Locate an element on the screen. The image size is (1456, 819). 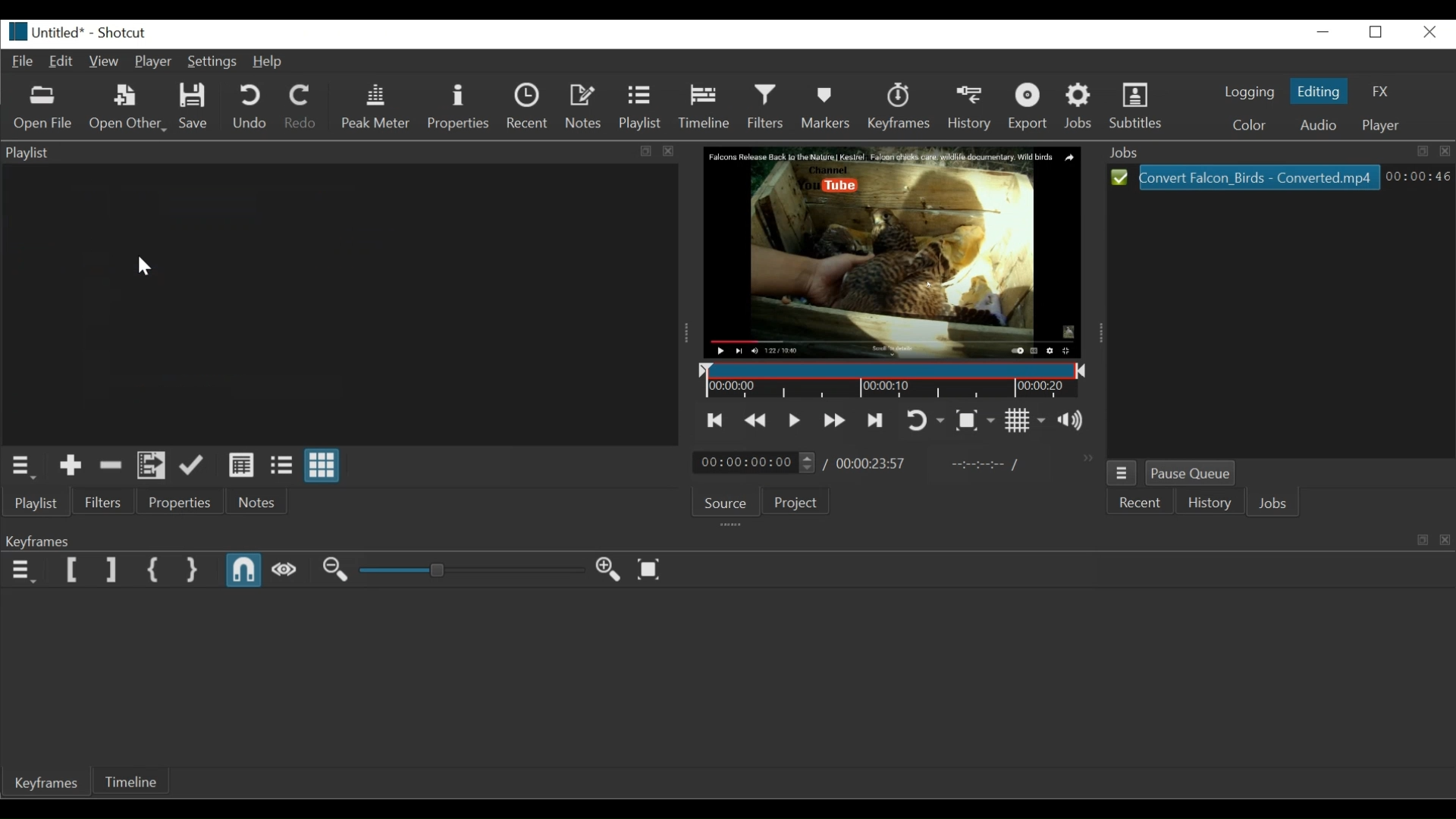
Jobs Menu is located at coordinates (1125, 472).